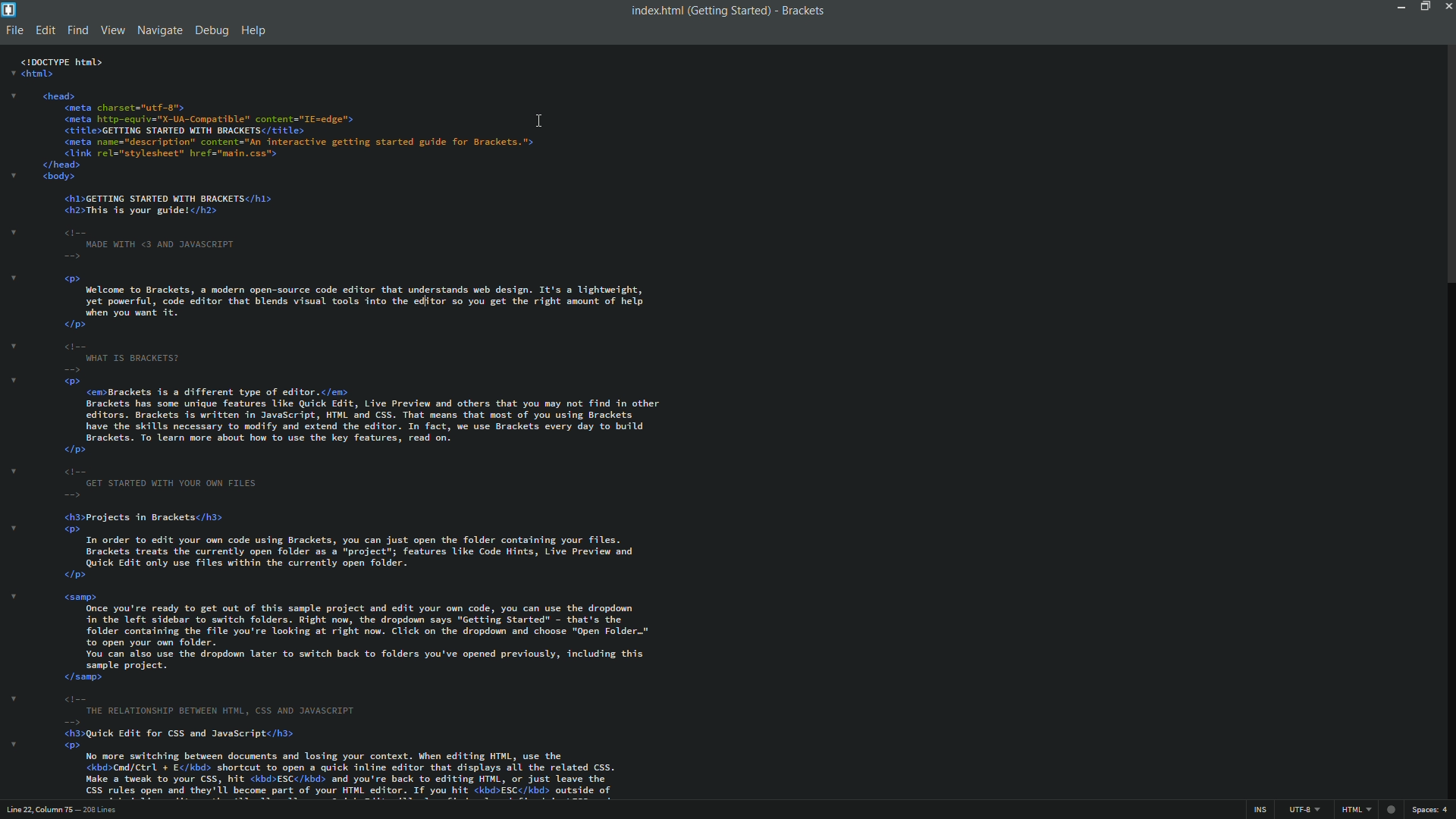  What do you see at coordinates (1259, 810) in the screenshot?
I see `INS` at bounding box center [1259, 810].